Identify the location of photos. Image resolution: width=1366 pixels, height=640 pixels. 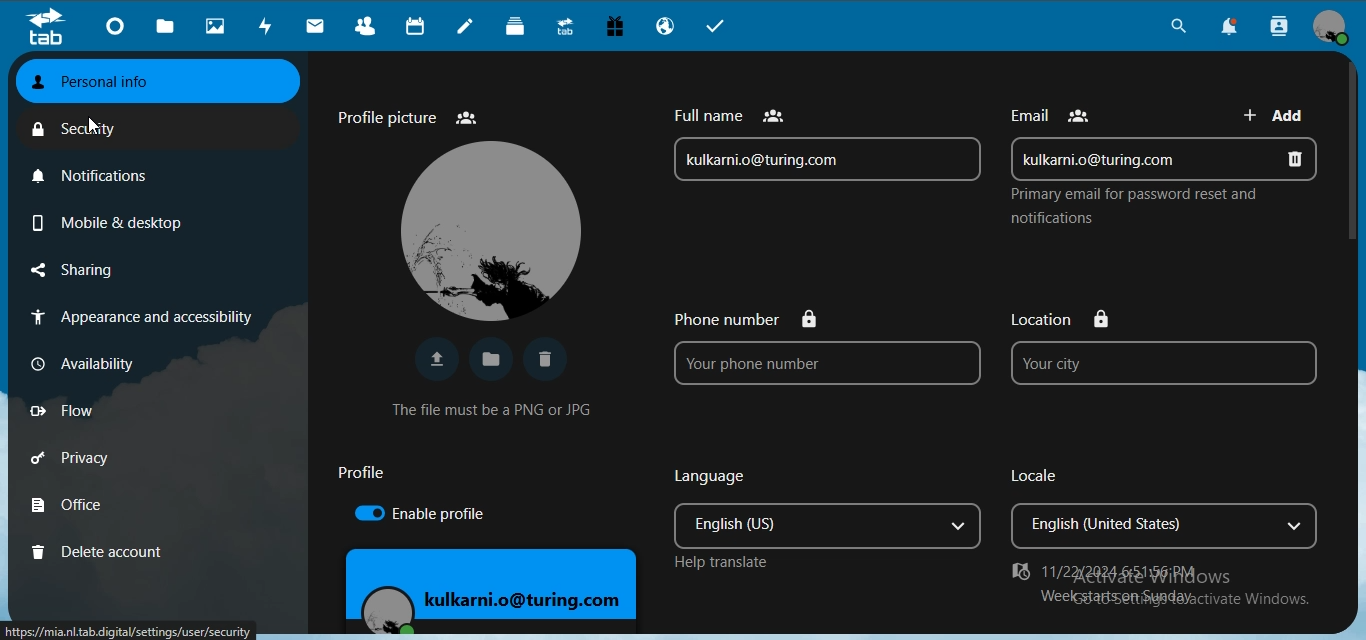
(218, 27).